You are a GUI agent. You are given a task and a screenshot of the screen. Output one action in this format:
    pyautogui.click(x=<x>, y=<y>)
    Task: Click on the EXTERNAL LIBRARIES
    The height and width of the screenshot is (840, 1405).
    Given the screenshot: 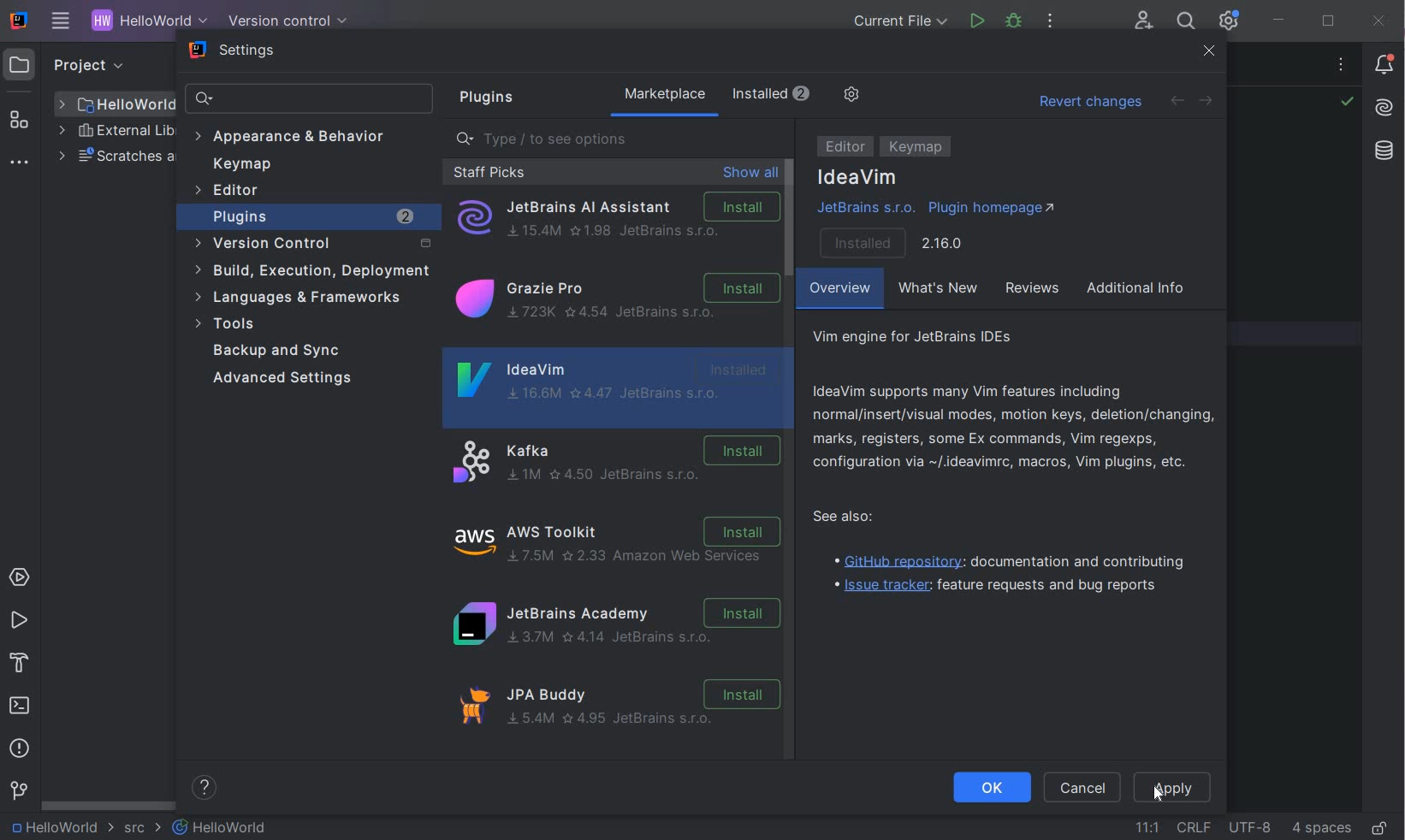 What is the action you would take?
    pyautogui.click(x=116, y=133)
    